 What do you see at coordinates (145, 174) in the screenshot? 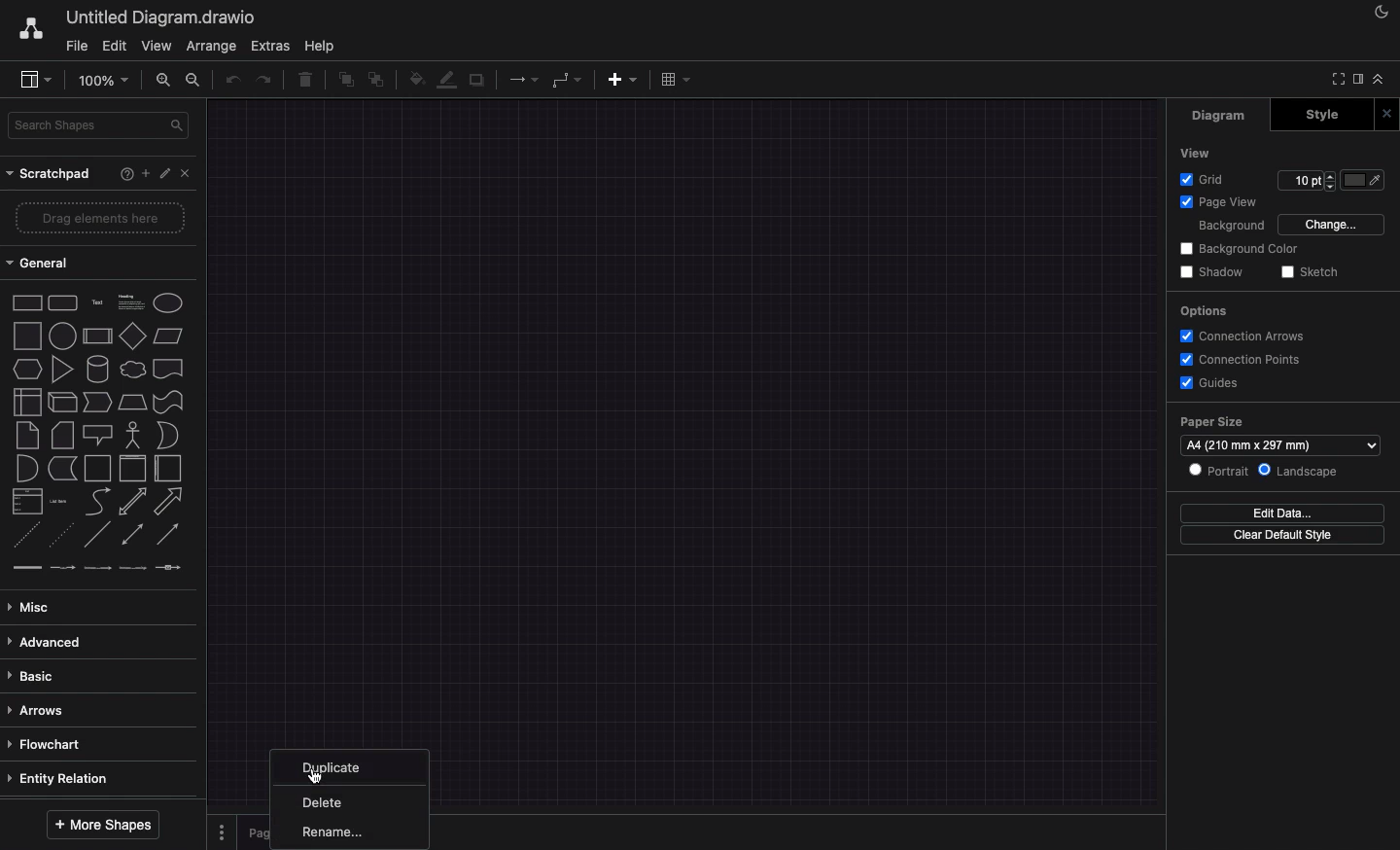
I see `add` at bounding box center [145, 174].